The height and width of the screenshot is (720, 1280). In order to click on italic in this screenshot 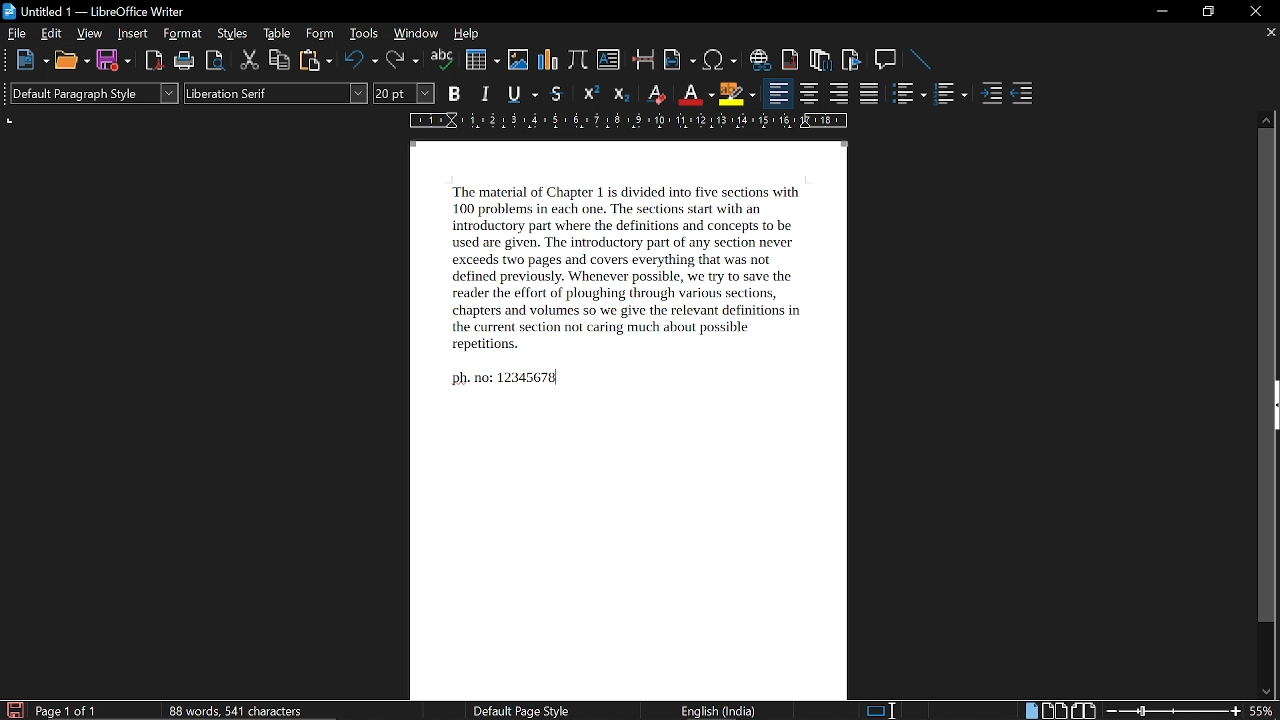, I will do `click(486, 94)`.